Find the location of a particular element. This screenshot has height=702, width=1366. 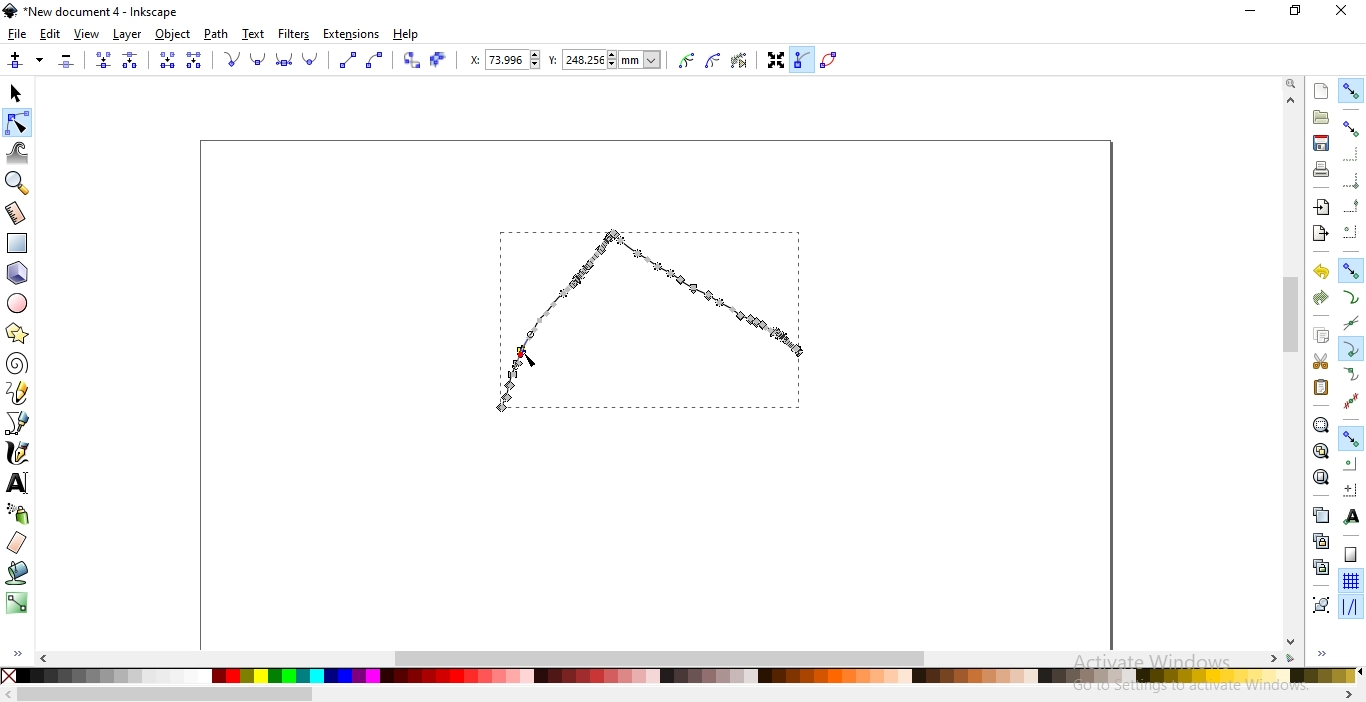

snap to grids is located at coordinates (1350, 580).